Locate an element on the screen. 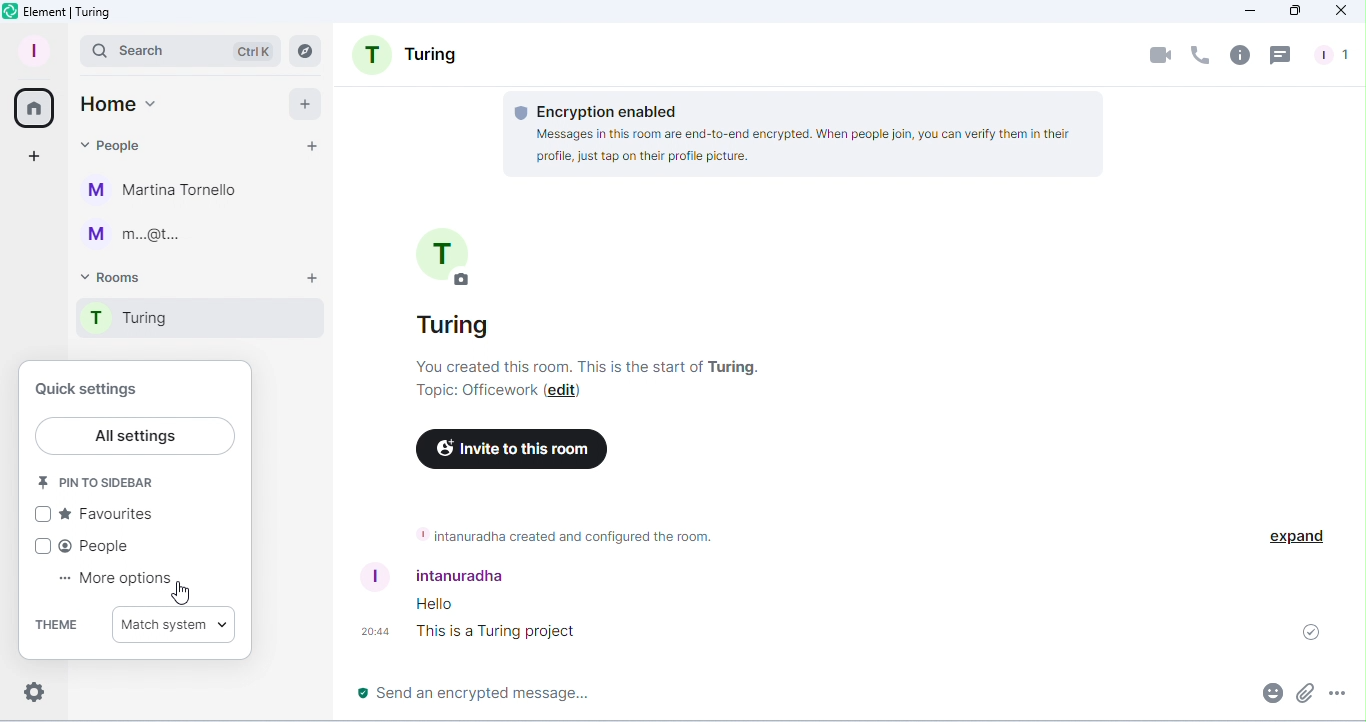 This screenshot has width=1366, height=722. Profile is located at coordinates (34, 49).